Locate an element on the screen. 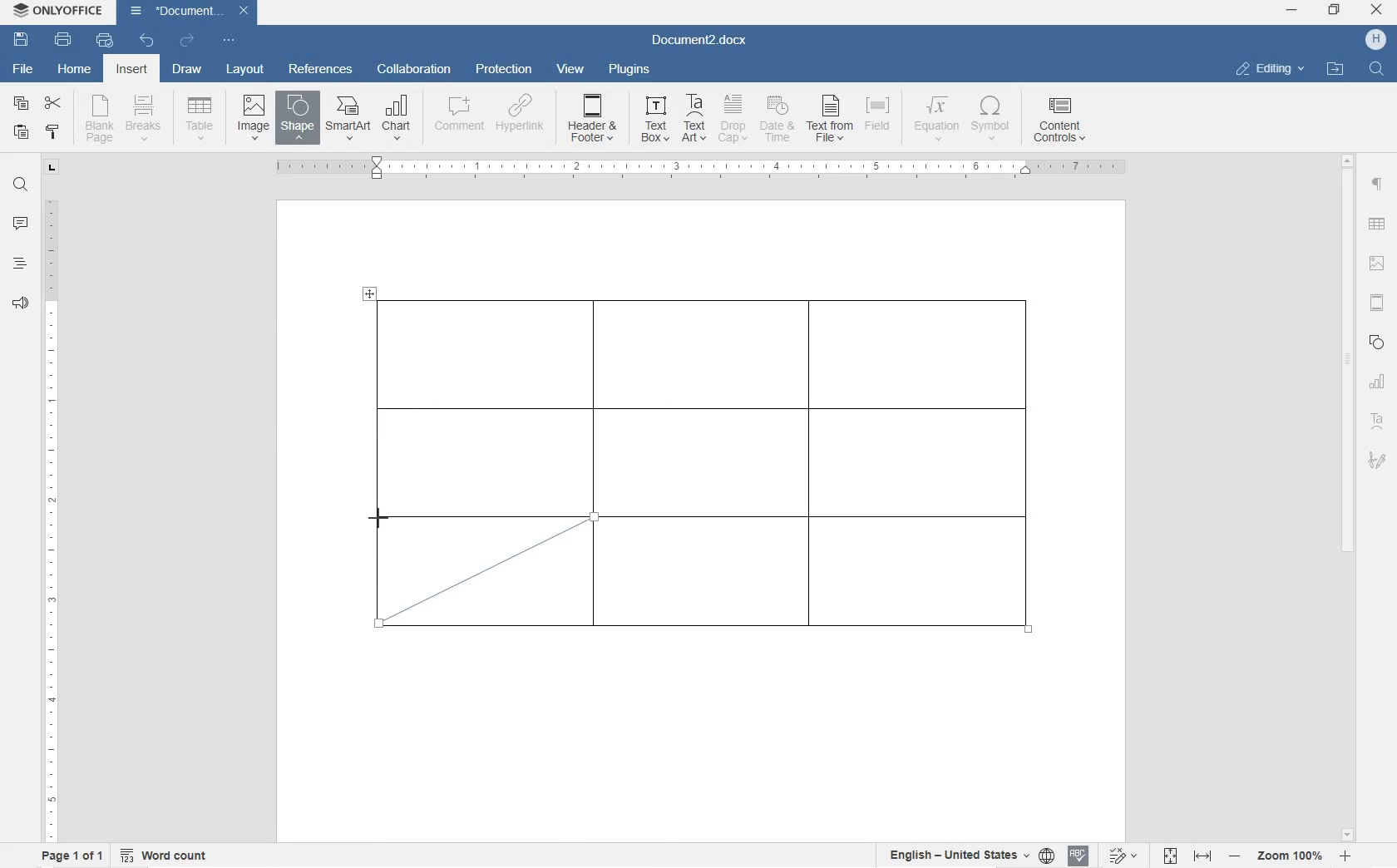 This screenshot has height=868, width=1397. close is located at coordinates (1376, 11).